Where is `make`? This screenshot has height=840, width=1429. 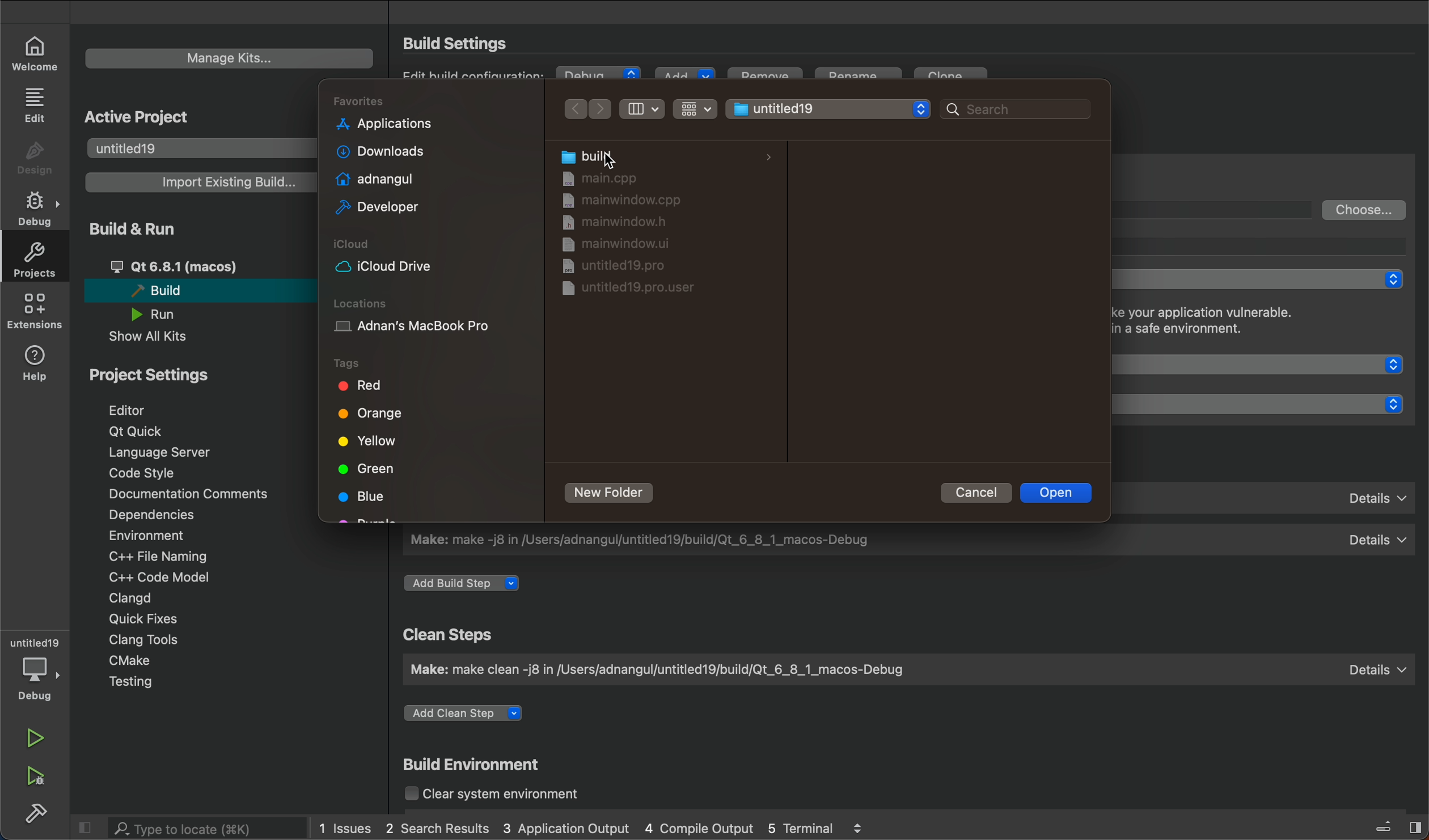 make is located at coordinates (905, 669).